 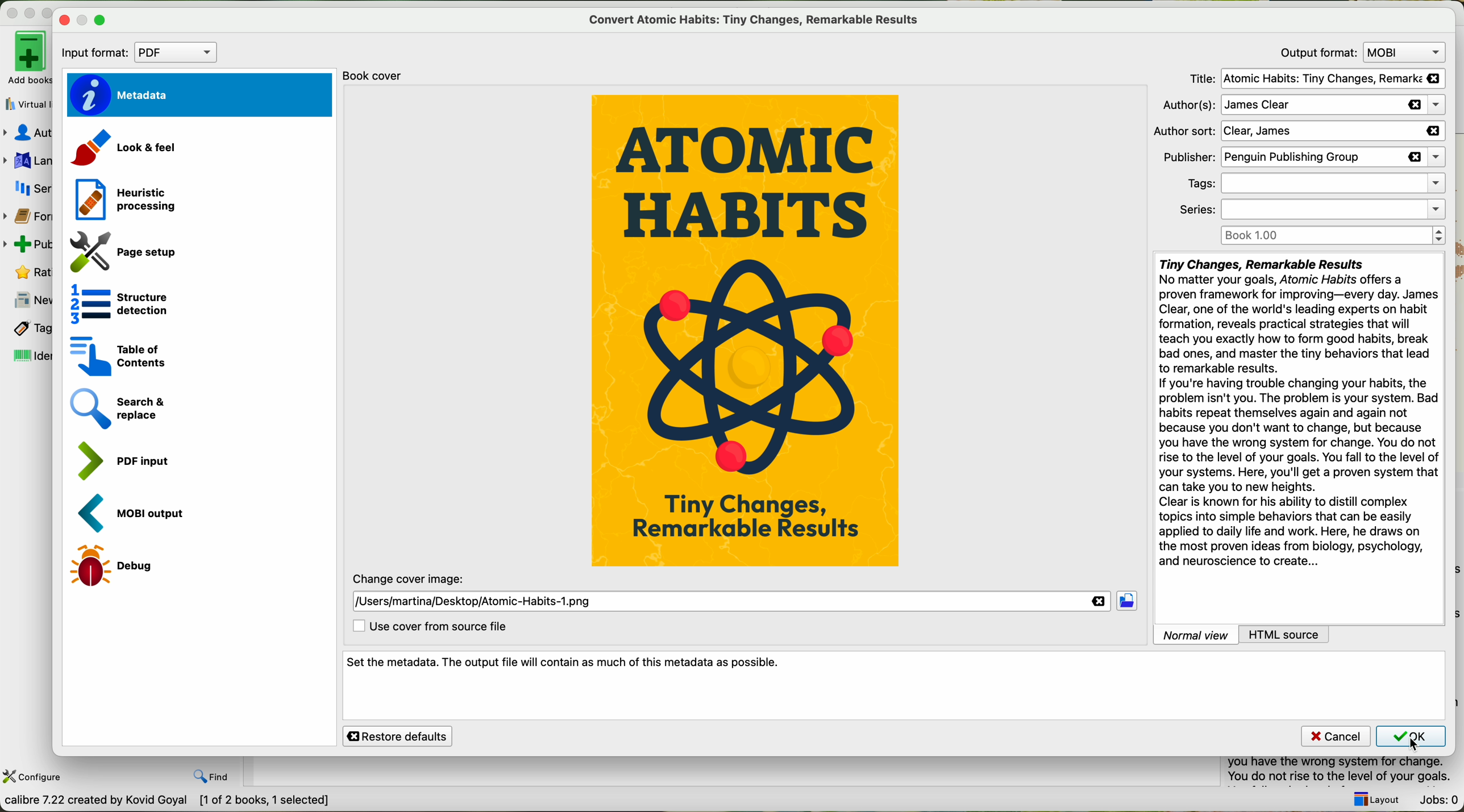 I want to click on Book 1.00, so click(x=1332, y=235).